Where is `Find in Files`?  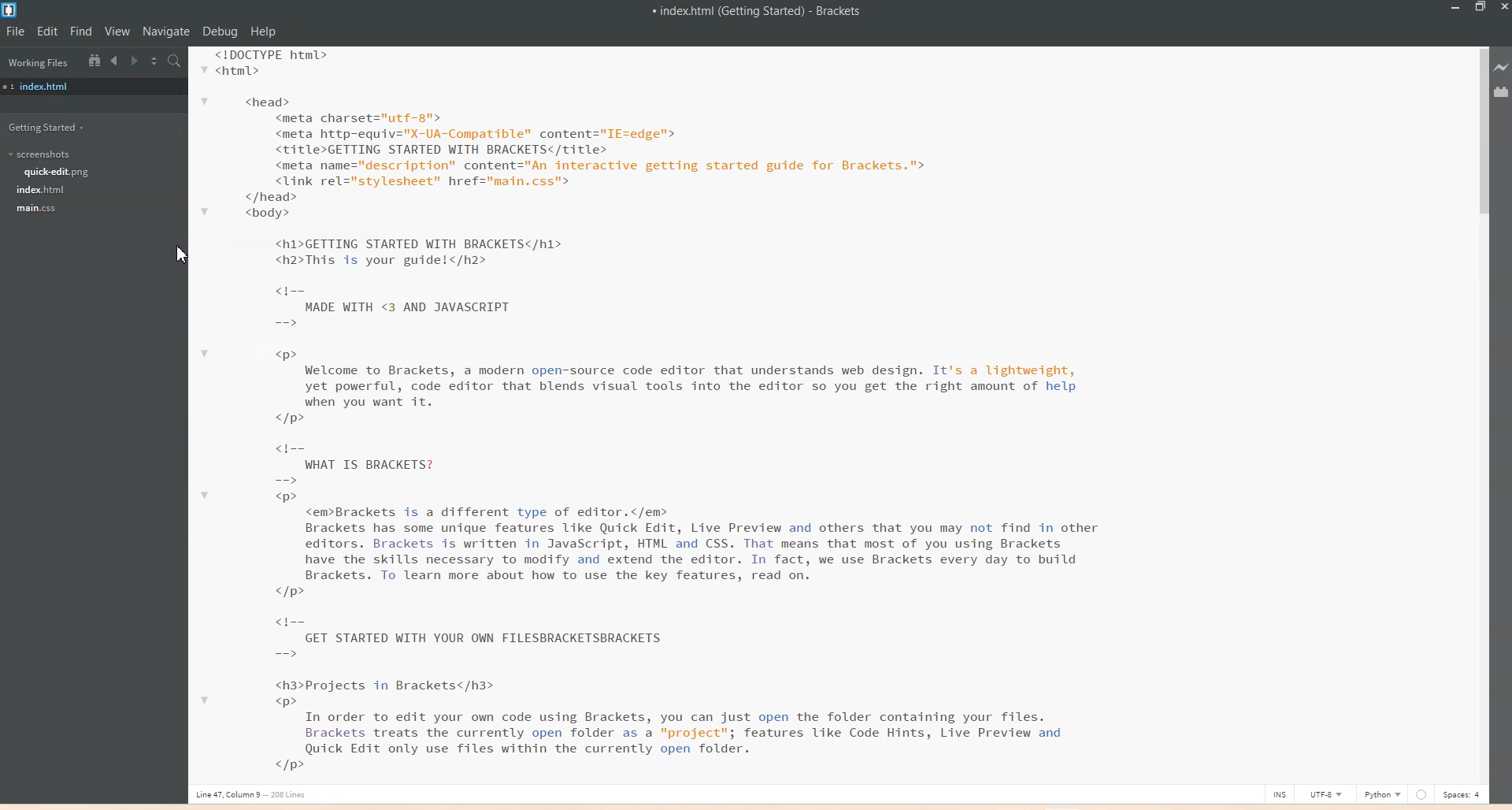
Find in Files is located at coordinates (176, 61).